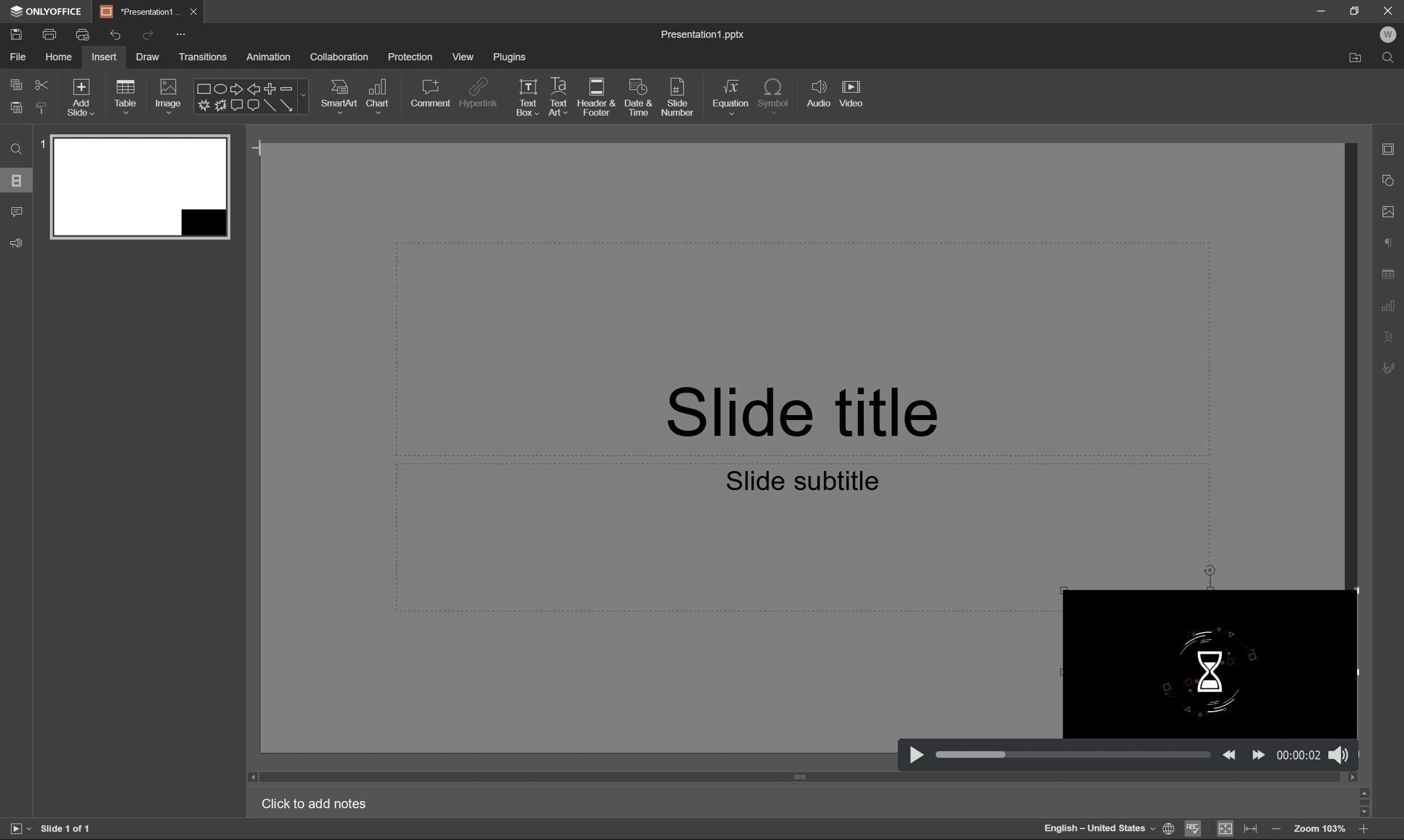 The height and width of the screenshot is (840, 1404). I want to click on text art, so click(560, 95).